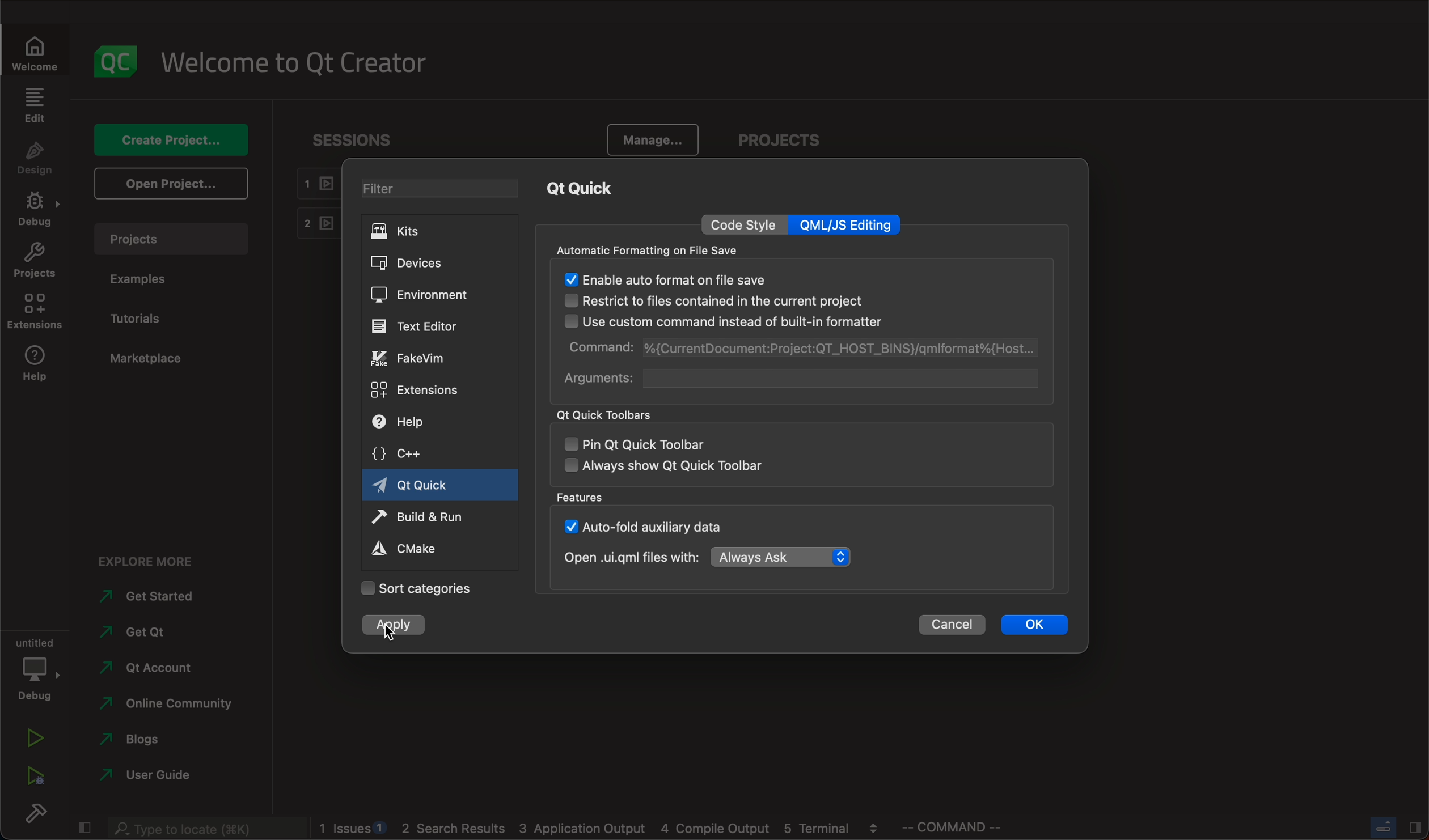  Describe the element at coordinates (653, 138) in the screenshot. I see `manage` at that location.